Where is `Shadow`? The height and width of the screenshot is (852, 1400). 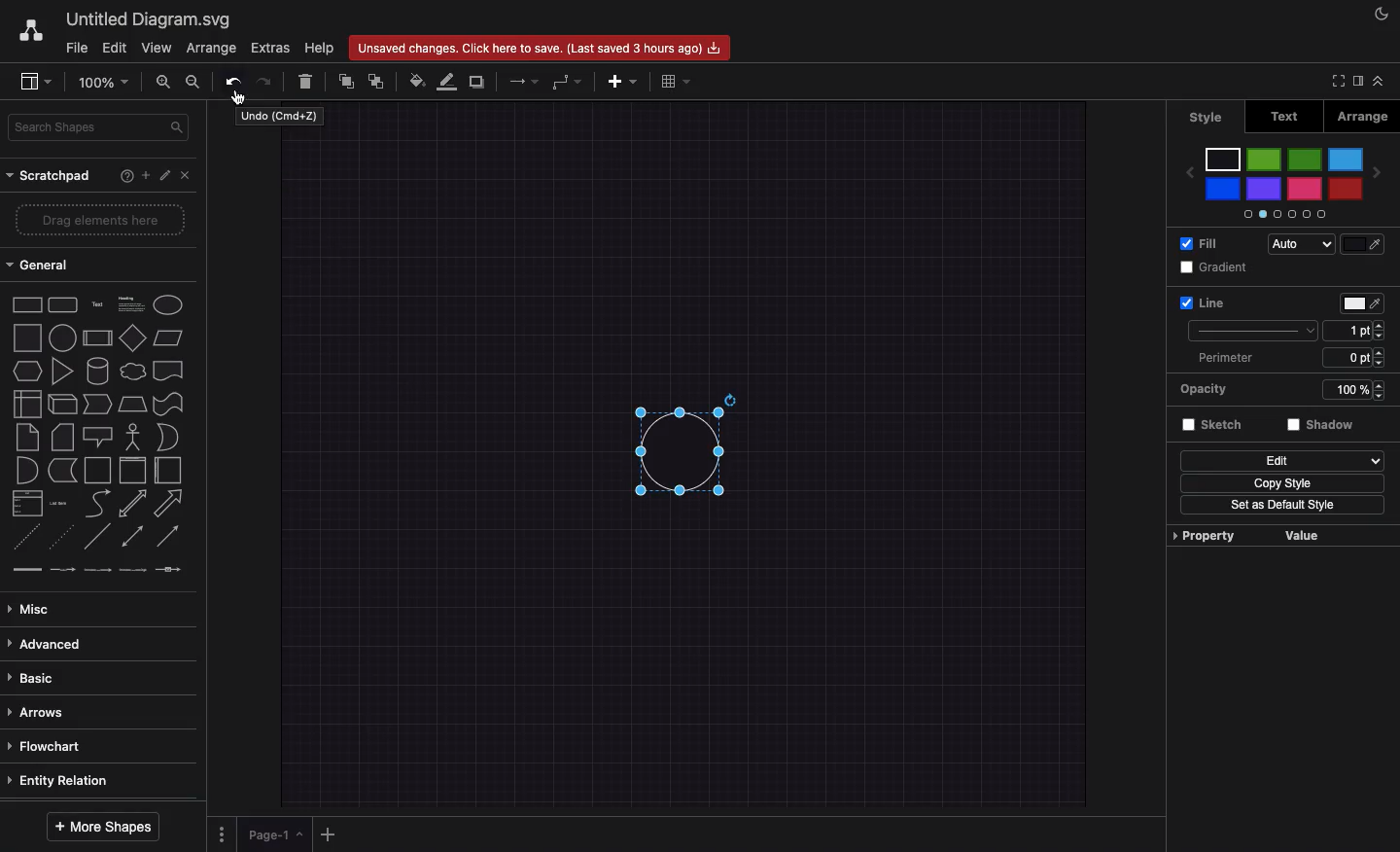
Shadow is located at coordinates (1324, 425).